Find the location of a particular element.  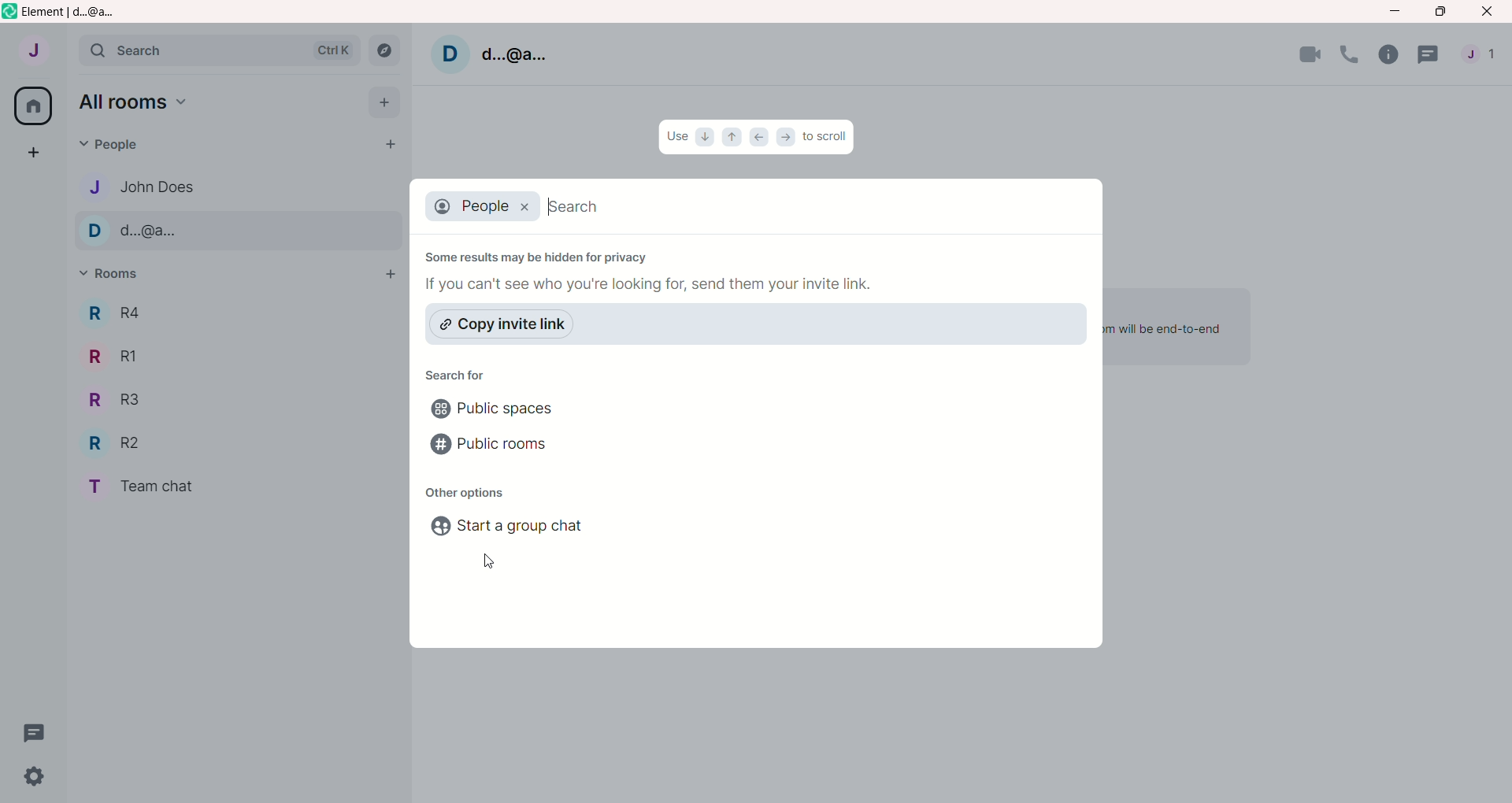

if you can't see who you're looking for, send them your invite link is located at coordinates (700, 288).